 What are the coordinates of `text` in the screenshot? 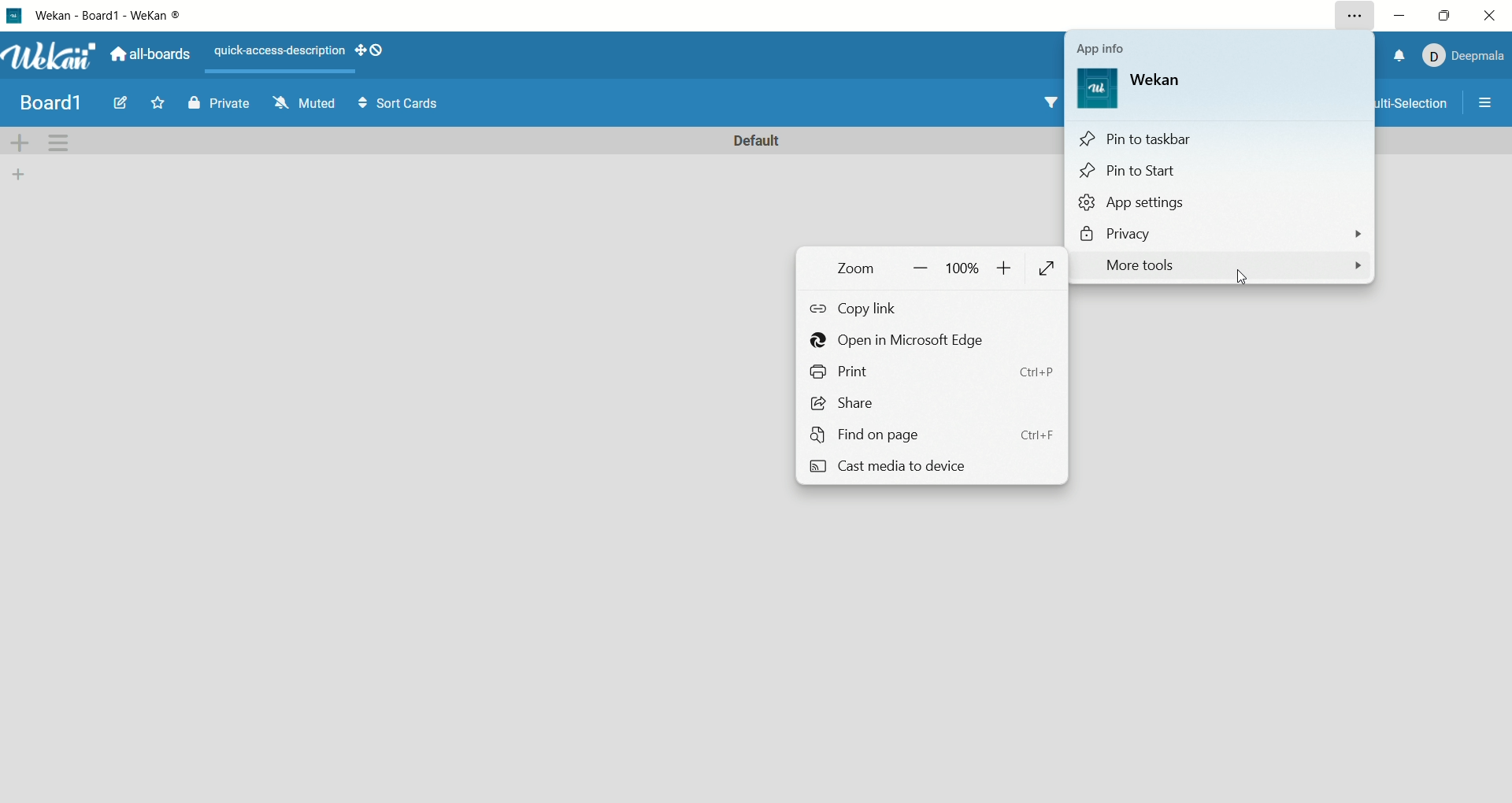 It's located at (278, 49).